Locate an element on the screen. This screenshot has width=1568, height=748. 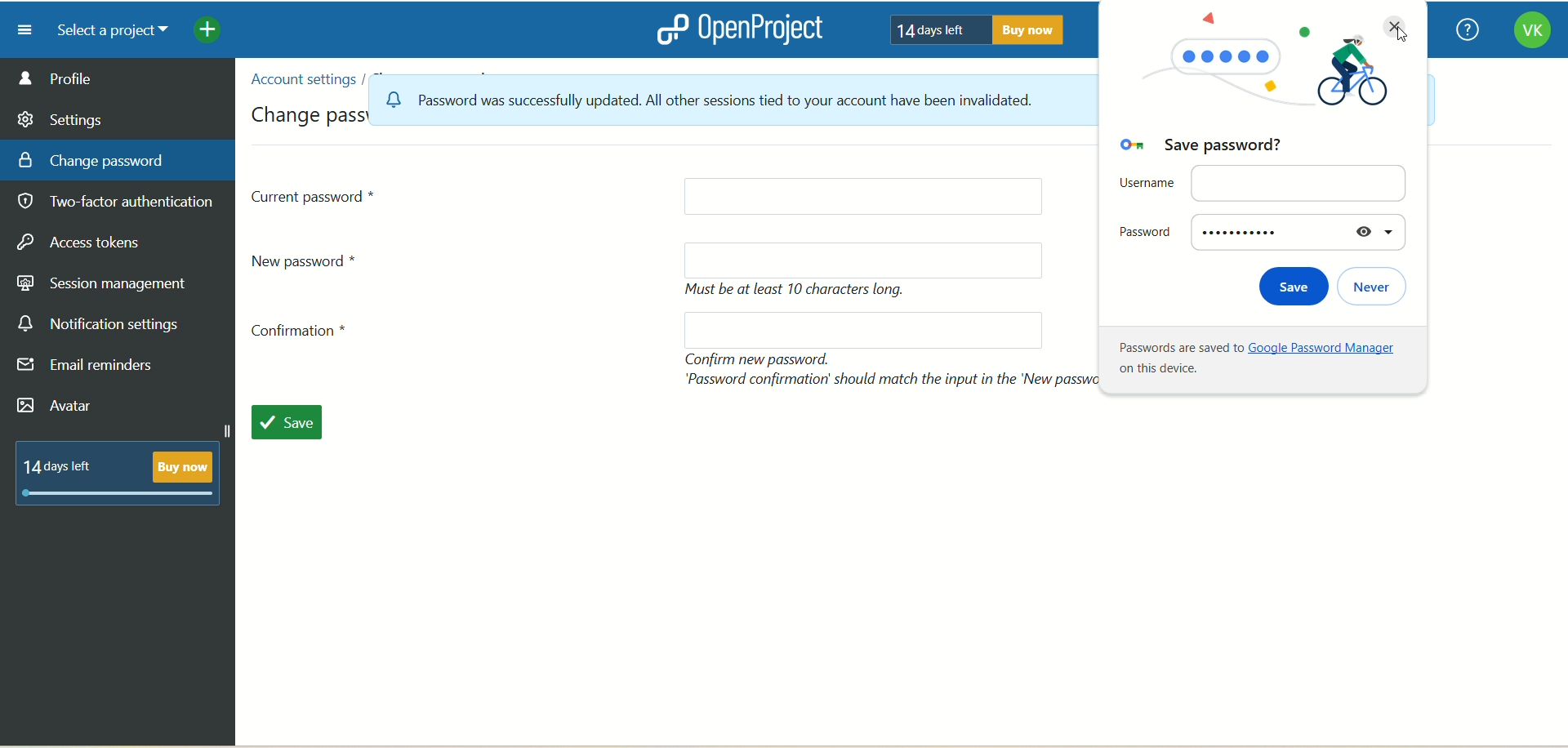
password is located at coordinates (1259, 231).